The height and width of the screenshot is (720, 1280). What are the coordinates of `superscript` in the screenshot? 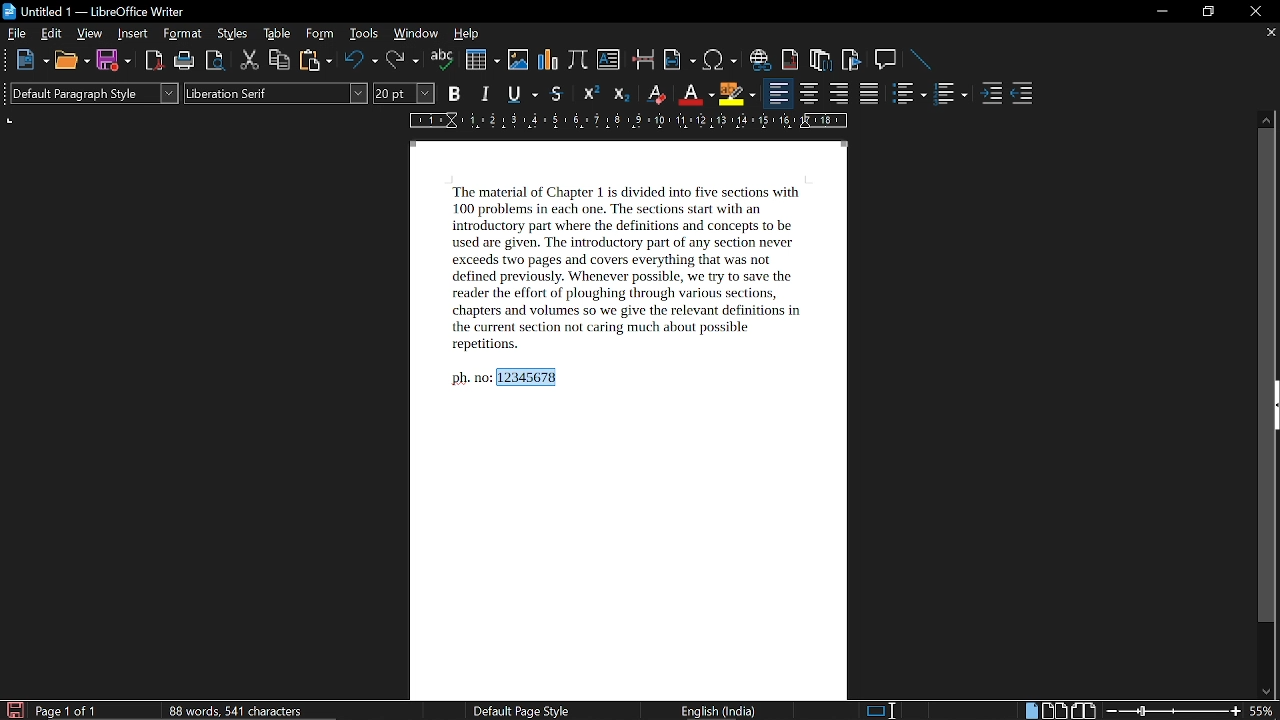 It's located at (588, 95).